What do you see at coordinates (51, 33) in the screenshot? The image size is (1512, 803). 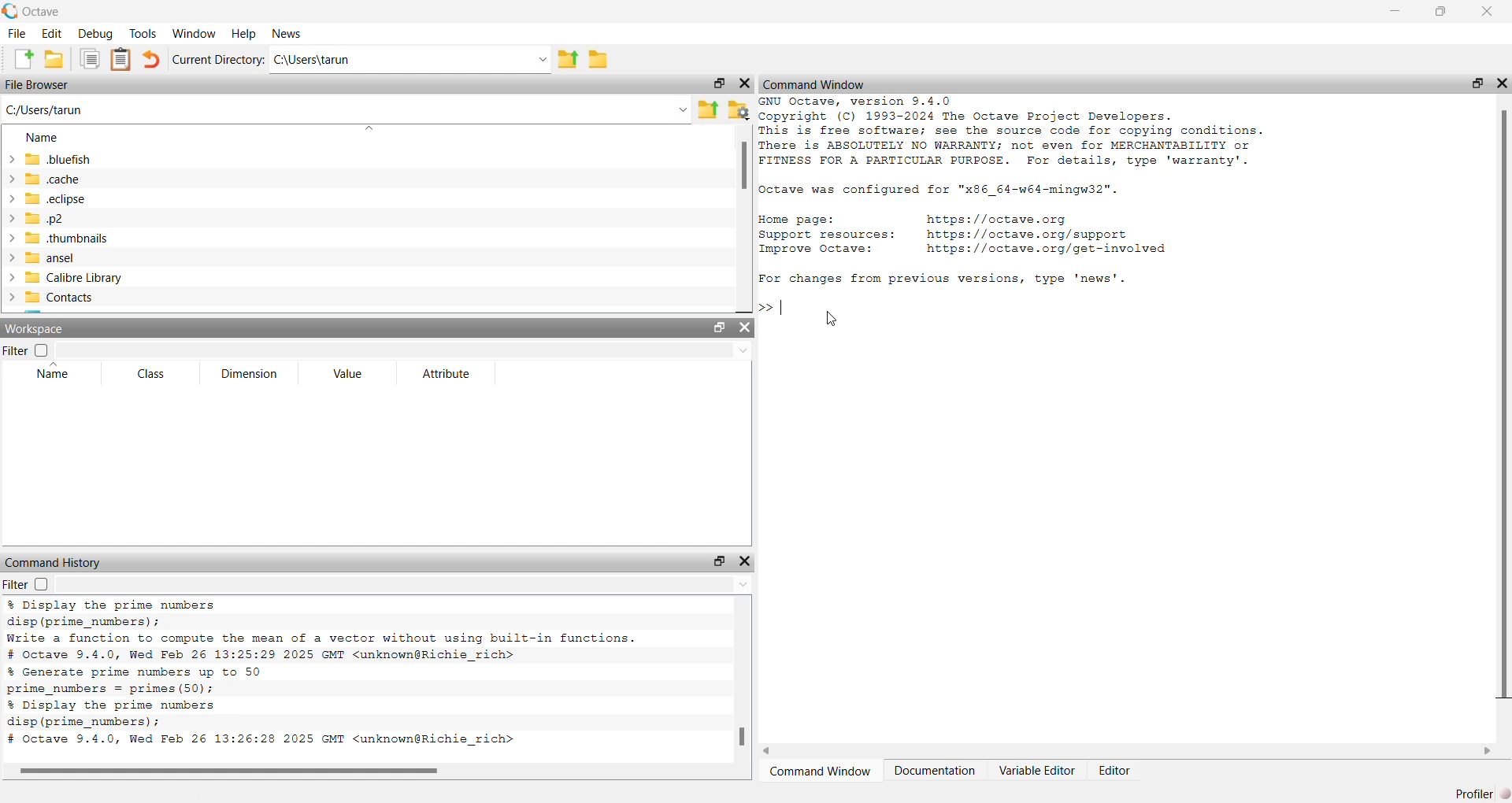 I see `Edit` at bounding box center [51, 33].